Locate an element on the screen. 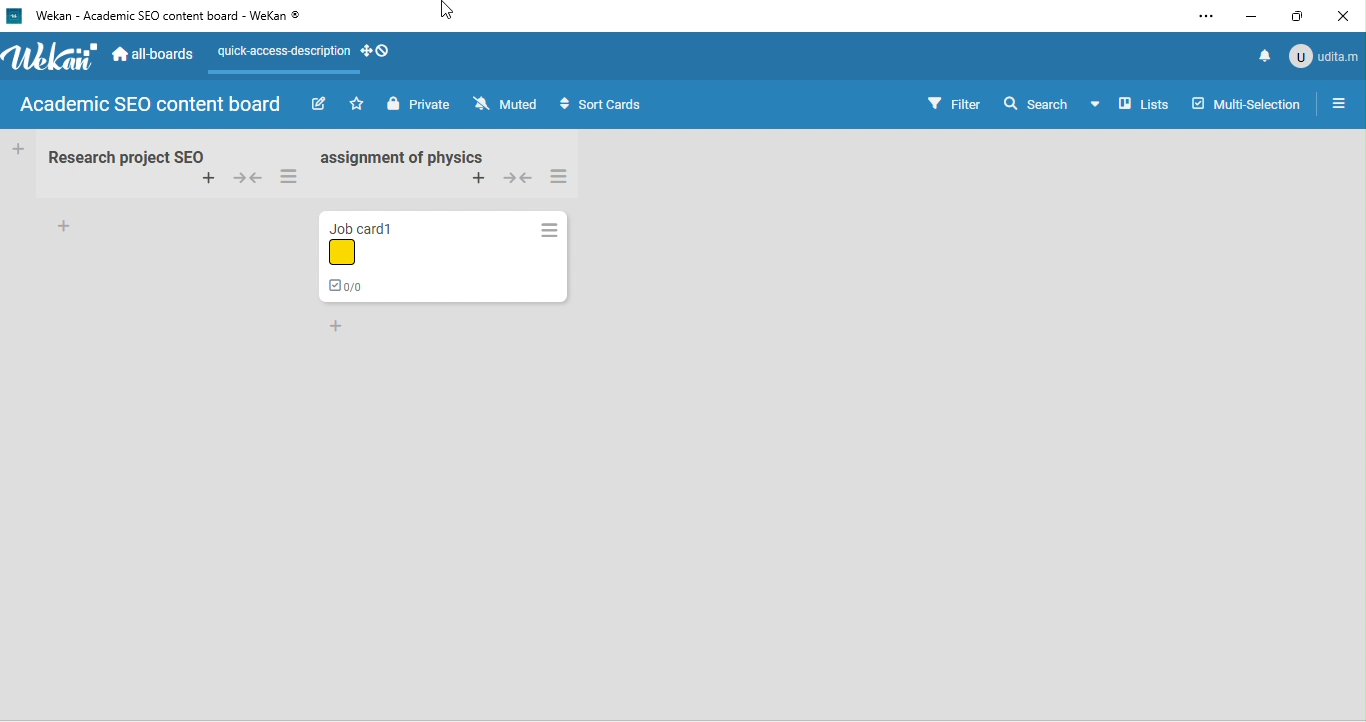 Image resolution: width=1366 pixels, height=722 pixels. wekan logo is located at coordinates (52, 57).